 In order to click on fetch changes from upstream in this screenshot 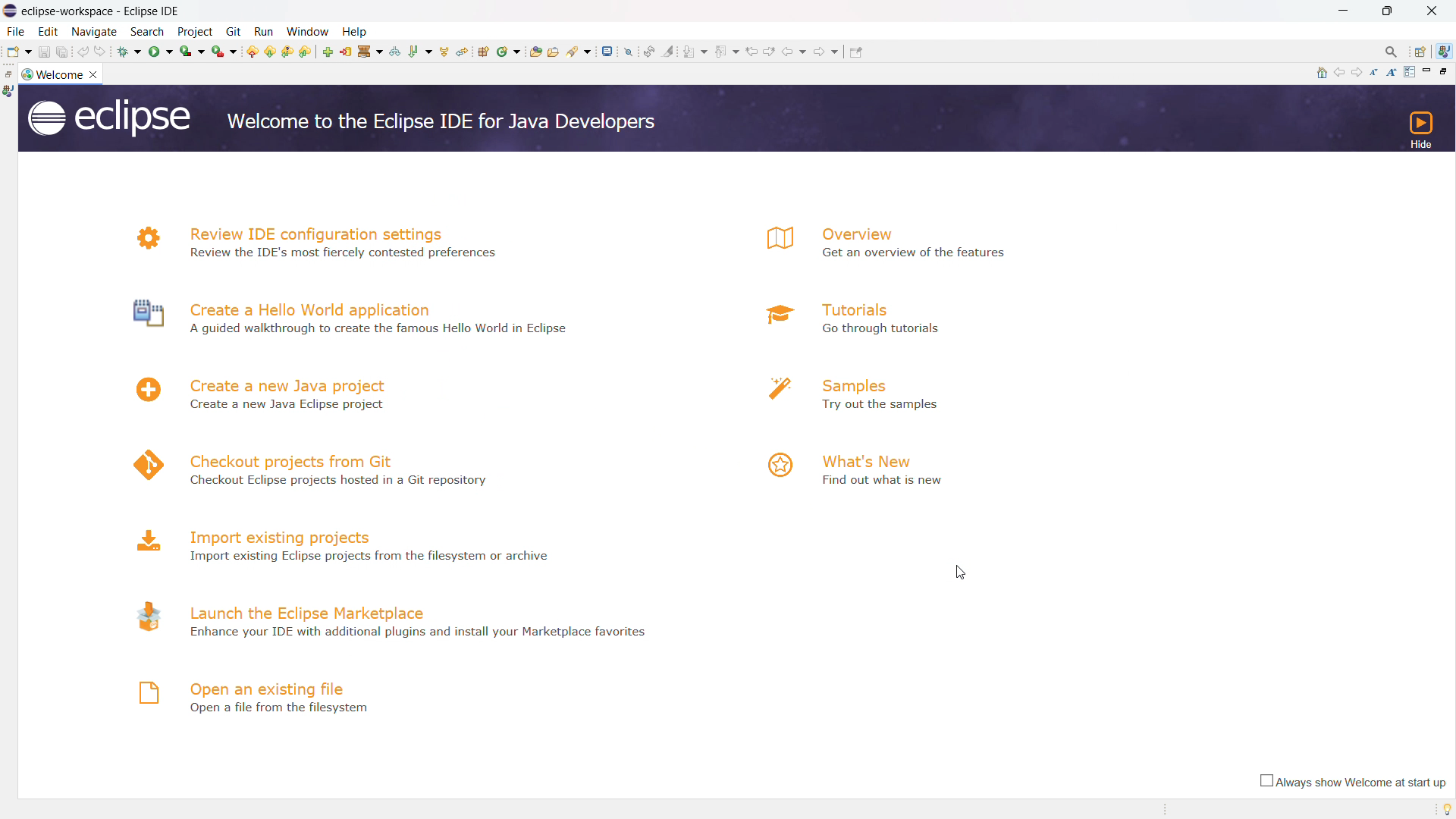, I will do `click(271, 51)`.